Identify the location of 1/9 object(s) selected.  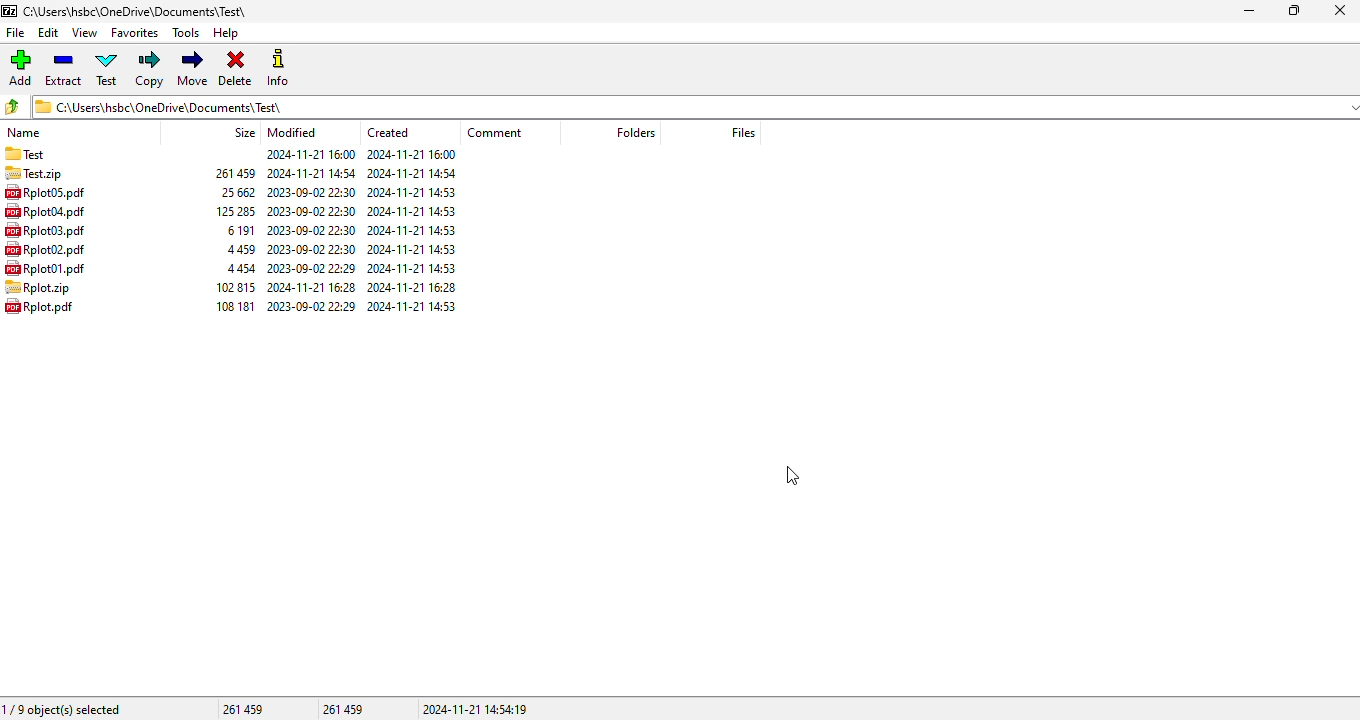
(62, 710).